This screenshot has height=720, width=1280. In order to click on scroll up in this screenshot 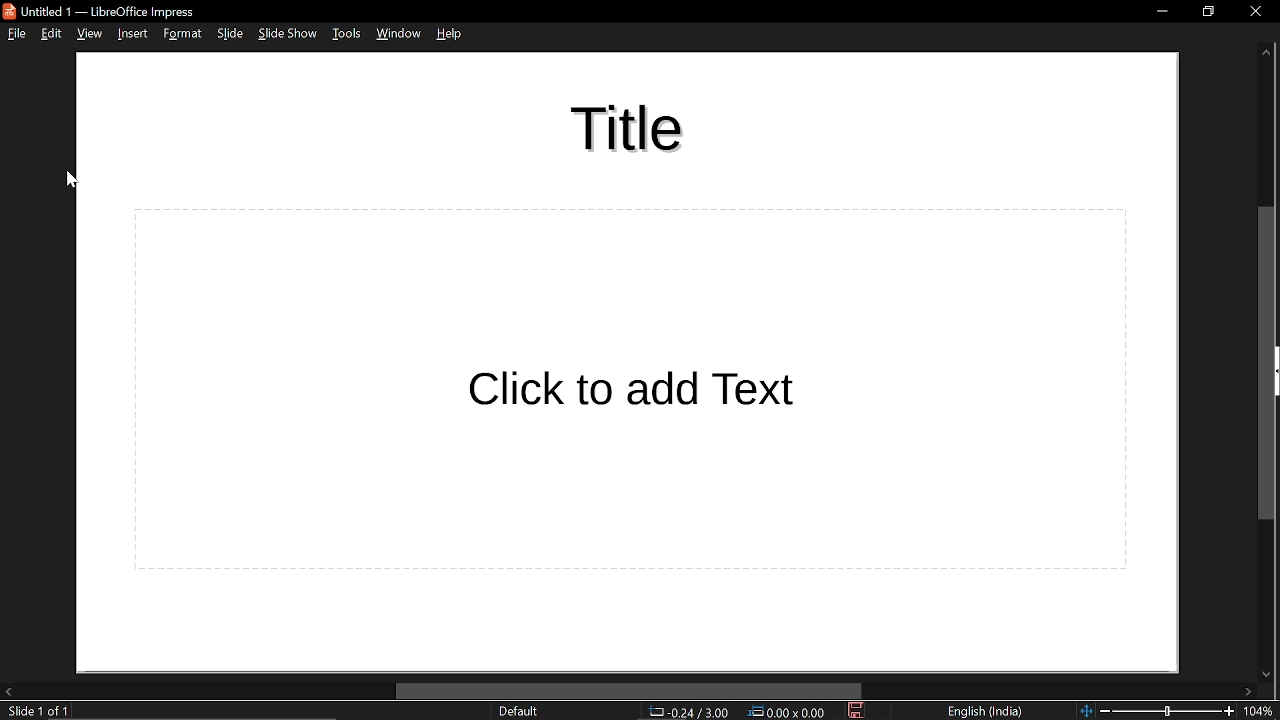, I will do `click(1265, 51)`.